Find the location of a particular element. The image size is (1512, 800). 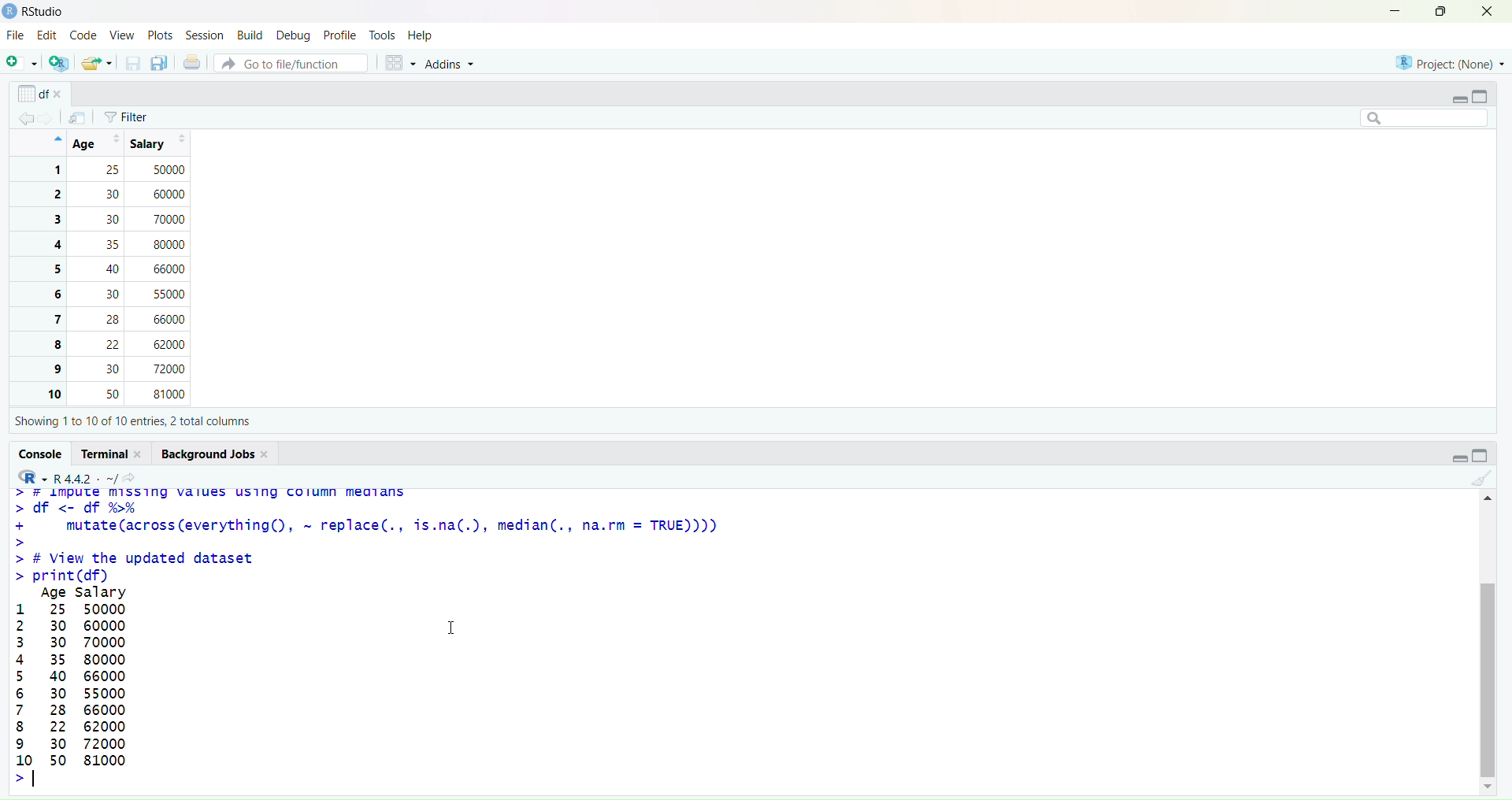

minimize is located at coordinates (1390, 10).